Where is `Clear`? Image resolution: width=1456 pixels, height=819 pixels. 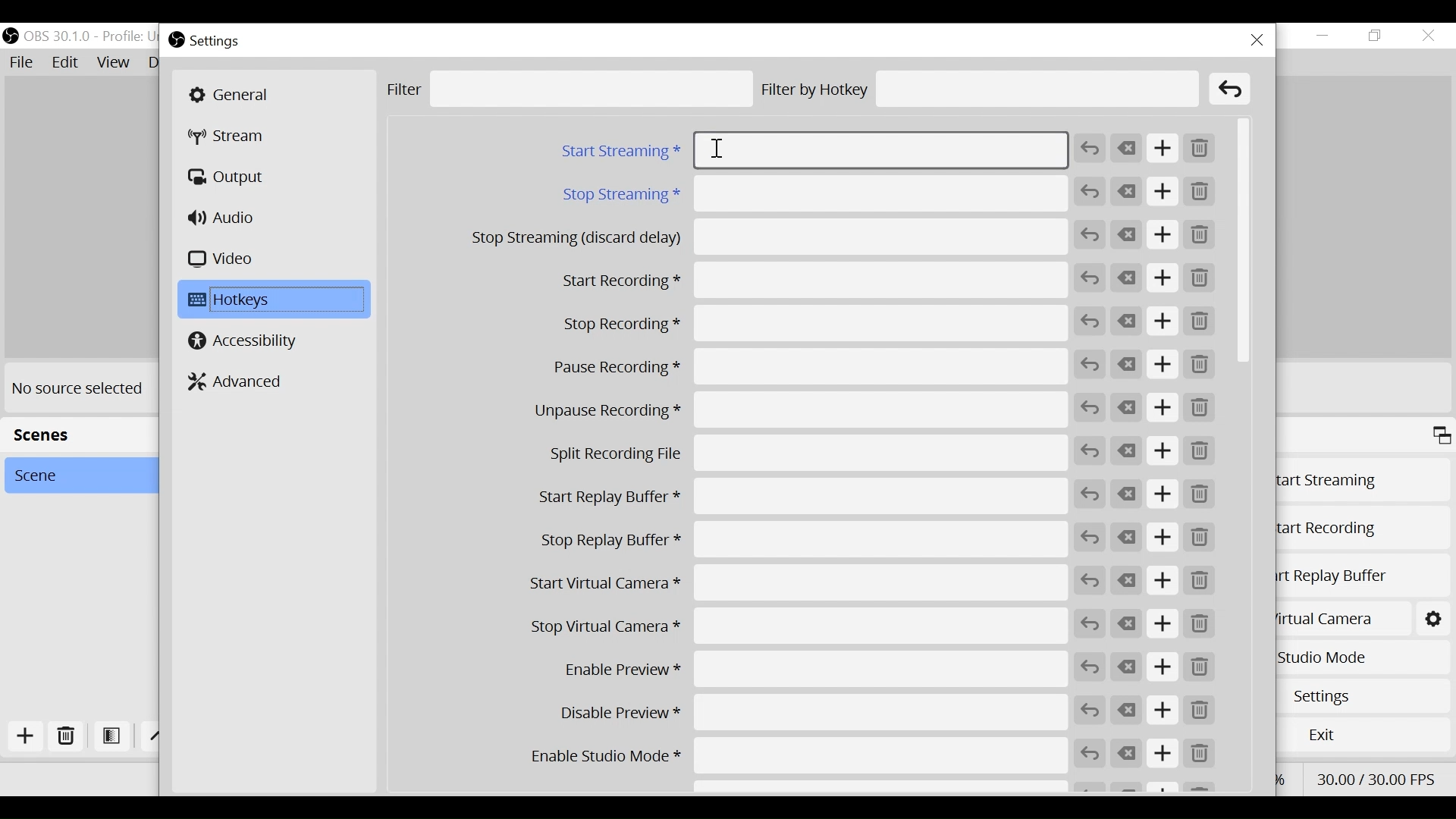 Clear is located at coordinates (1127, 278).